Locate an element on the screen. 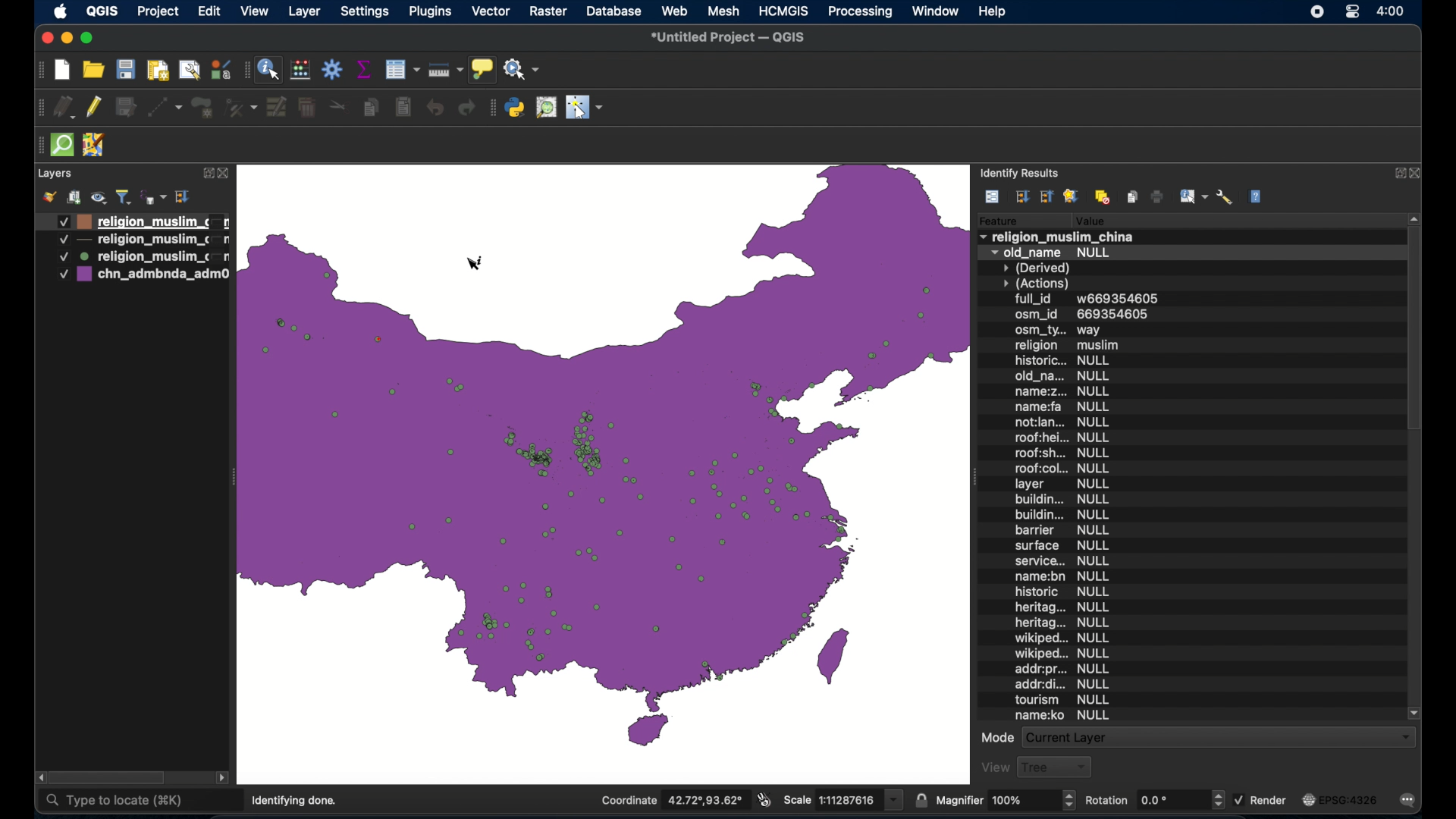 The height and width of the screenshot is (819, 1456). maximize is located at coordinates (89, 39).